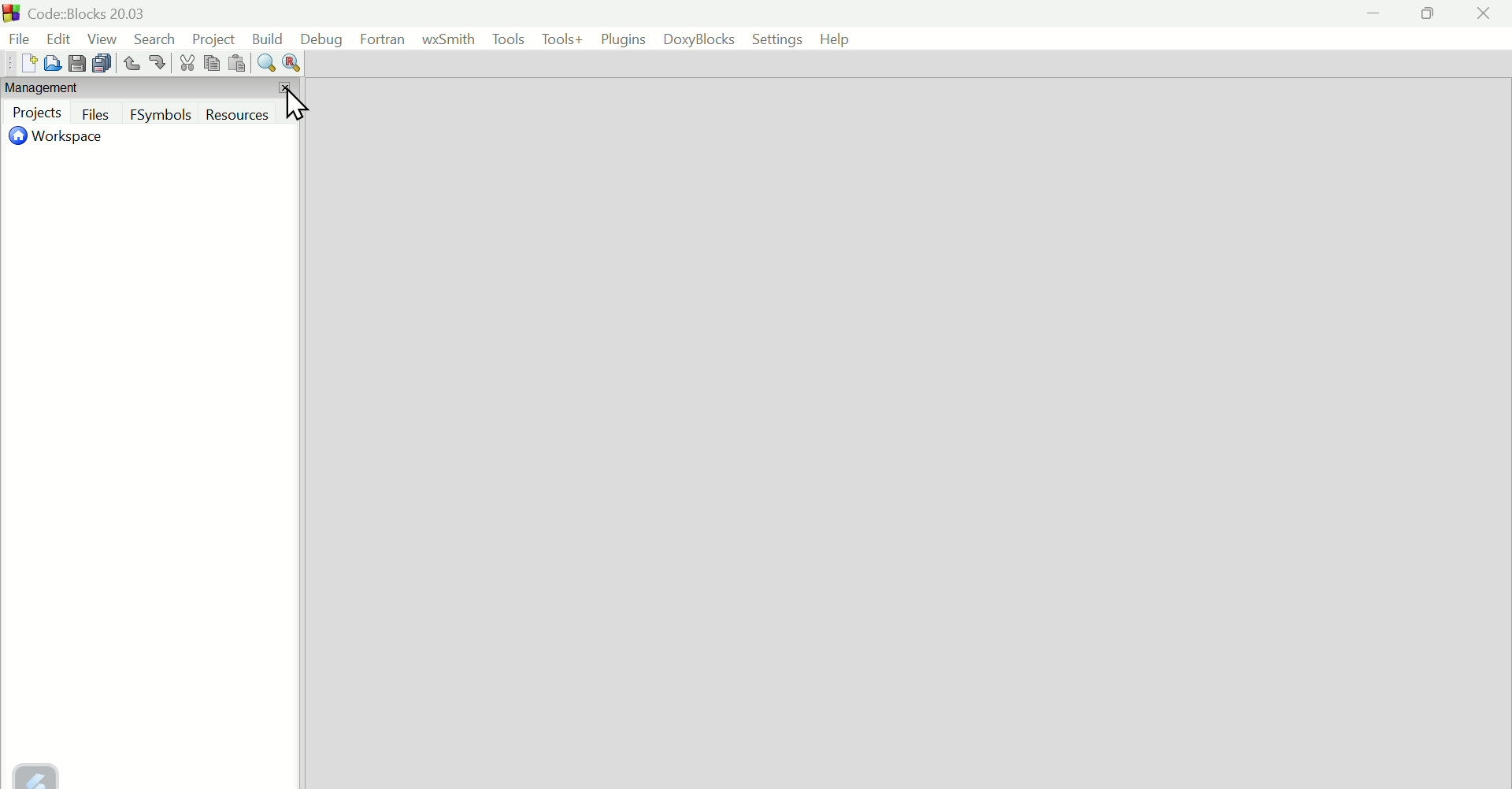  I want to click on Doxyblocks, so click(698, 38).